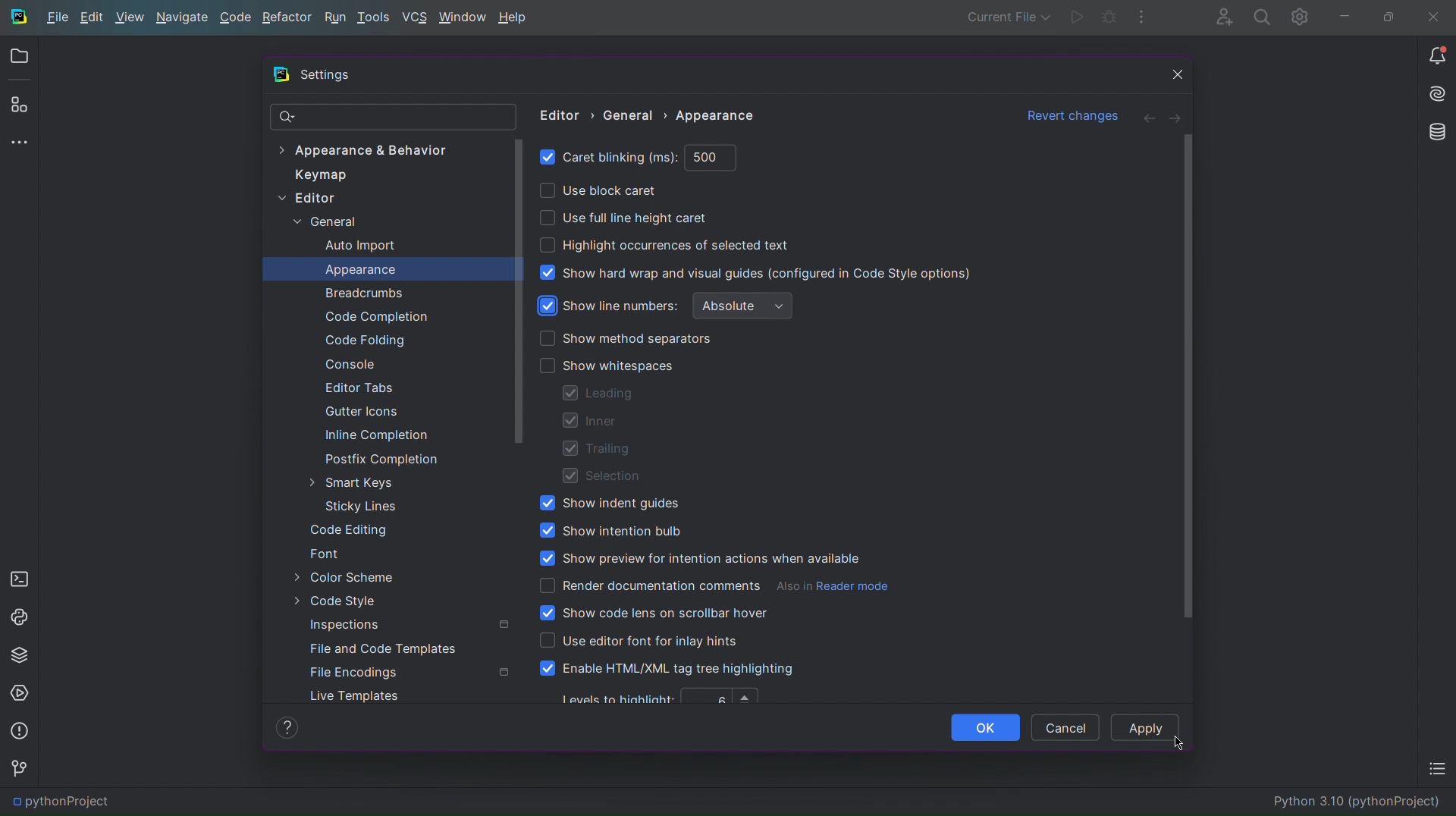 The height and width of the screenshot is (816, 1456). What do you see at coordinates (20, 615) in the screenshot?
I see `Python Console` at bounding box center [20, 615].